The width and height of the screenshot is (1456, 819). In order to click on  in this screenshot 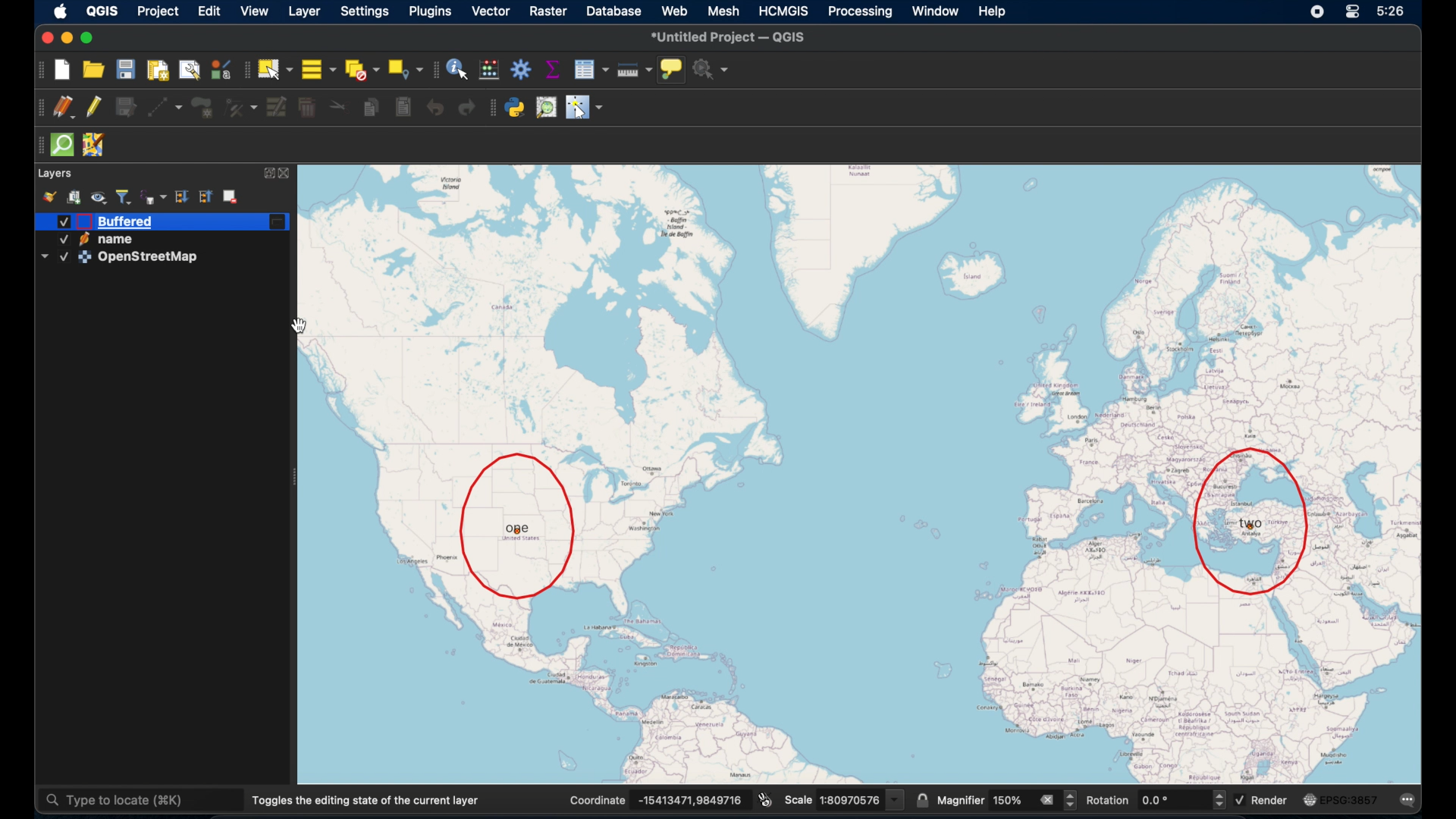, I will do `click(45, 37)`.